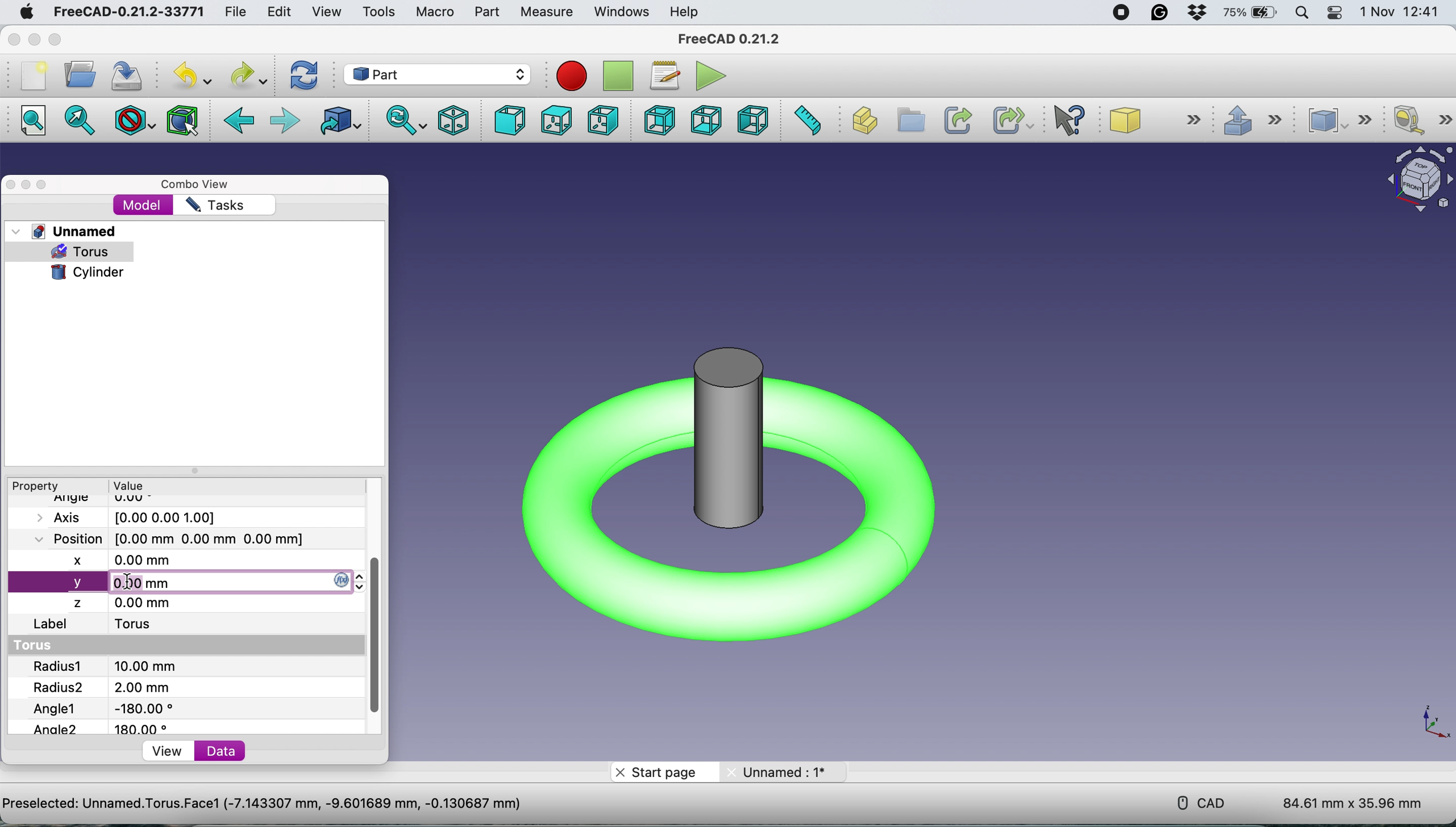 The height and width of the screenshot is (827, 1456). What do you see at coordinates (133, 559) in the screenshot?
I see `x axis` at bounding box center [133, 559].